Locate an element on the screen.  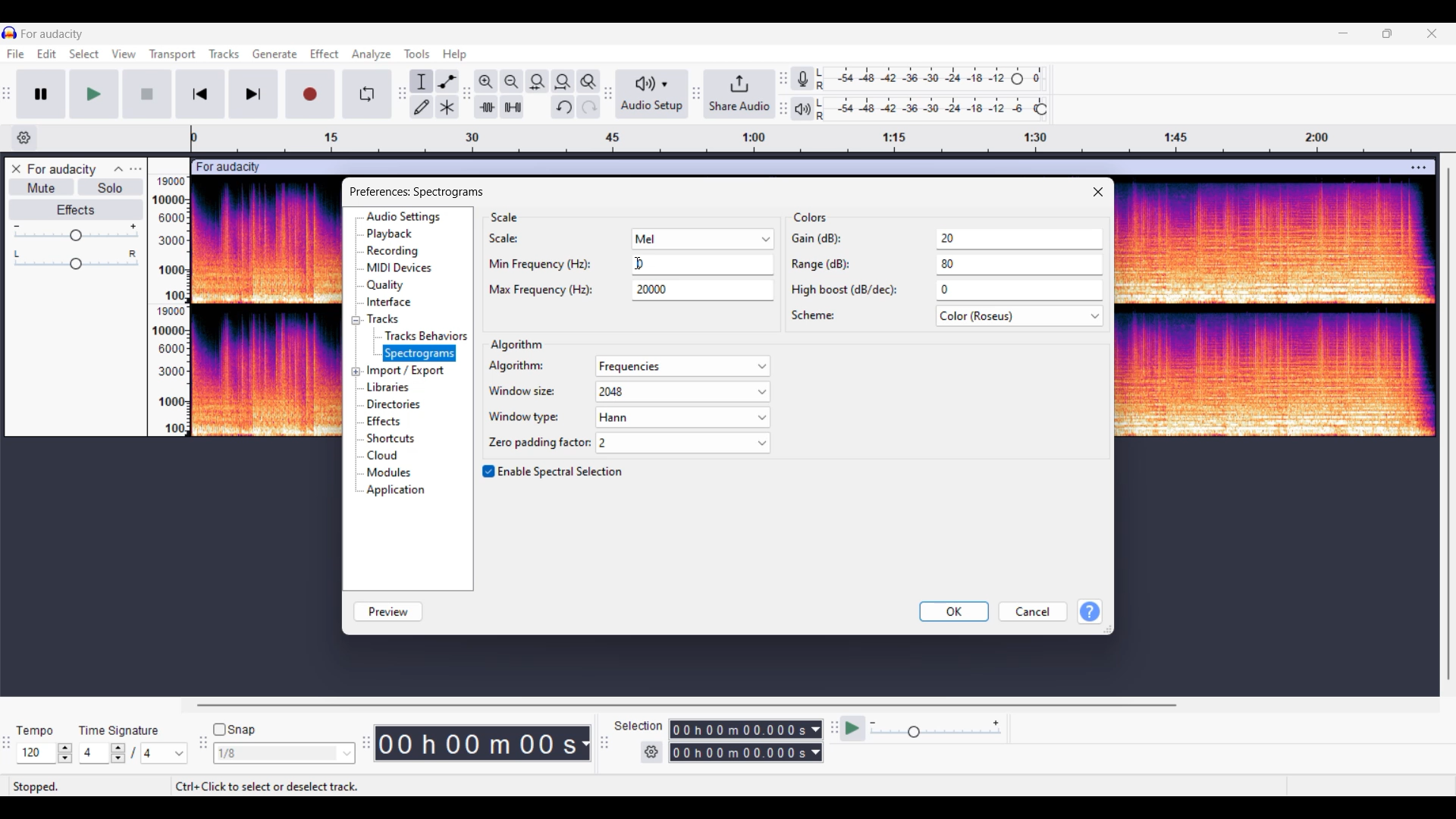
File menu is located at coordinates (16, 54).